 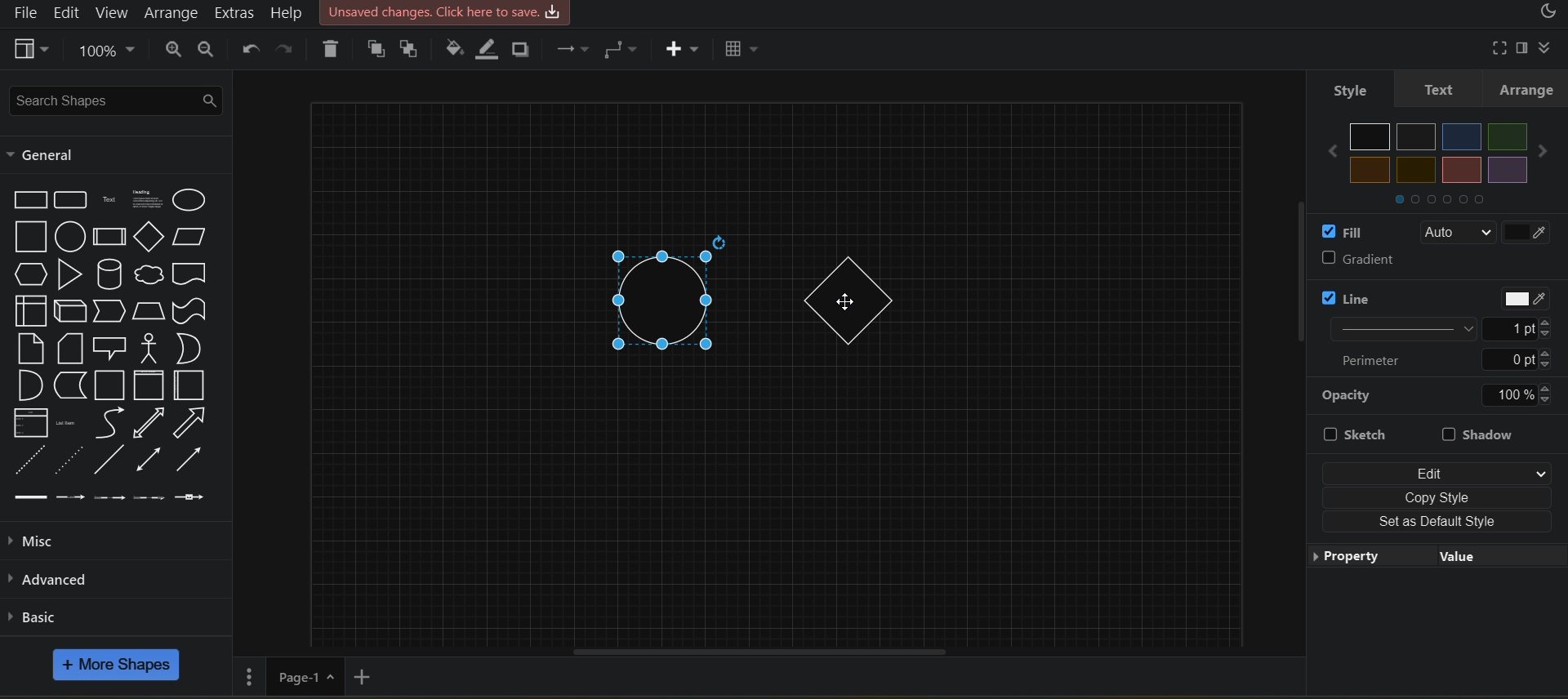 I want to click on Rectangle, so click(x=30, y=201).